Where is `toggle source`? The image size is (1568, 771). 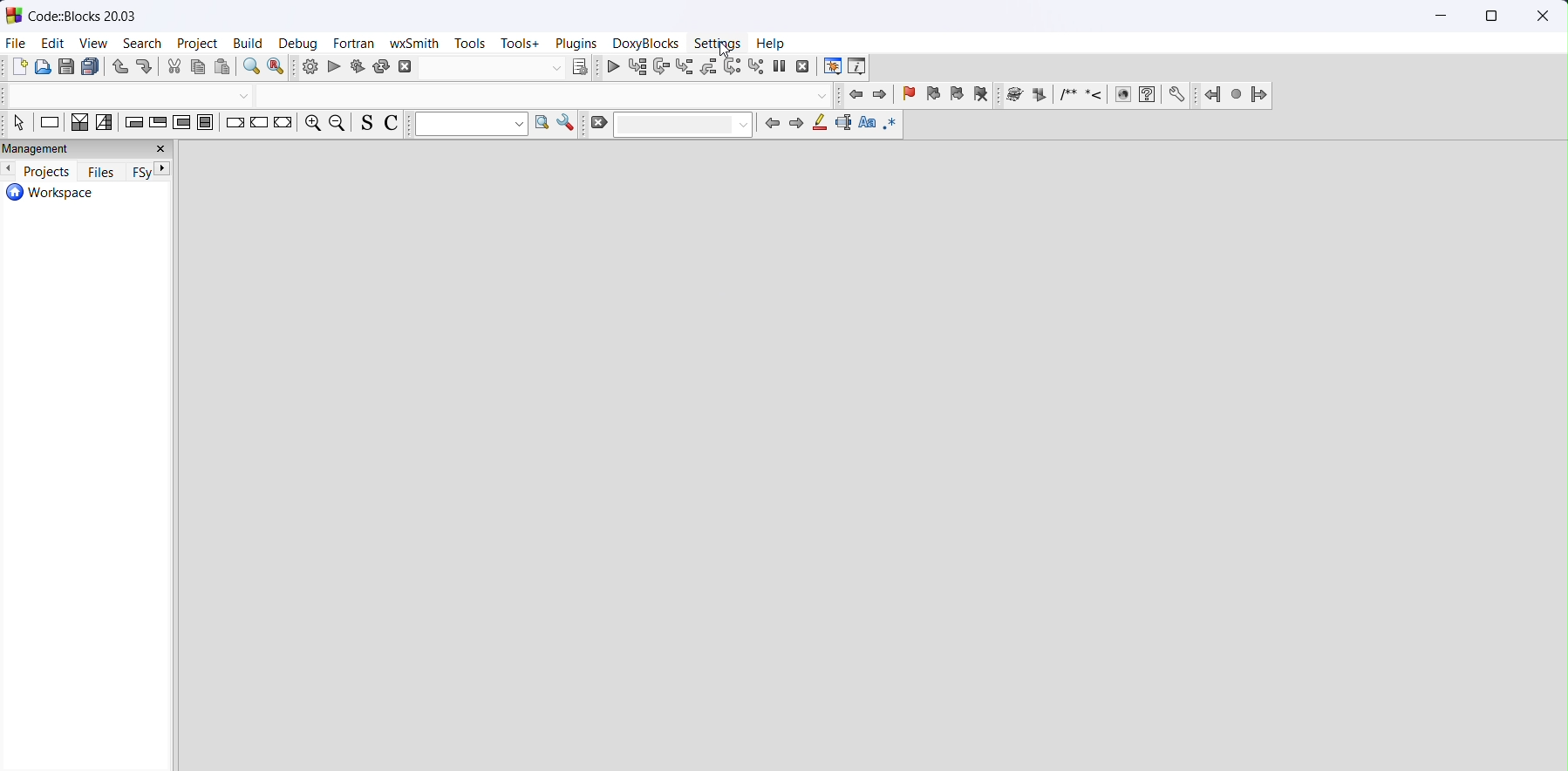
toggle source is located at coordinates (365, 123).